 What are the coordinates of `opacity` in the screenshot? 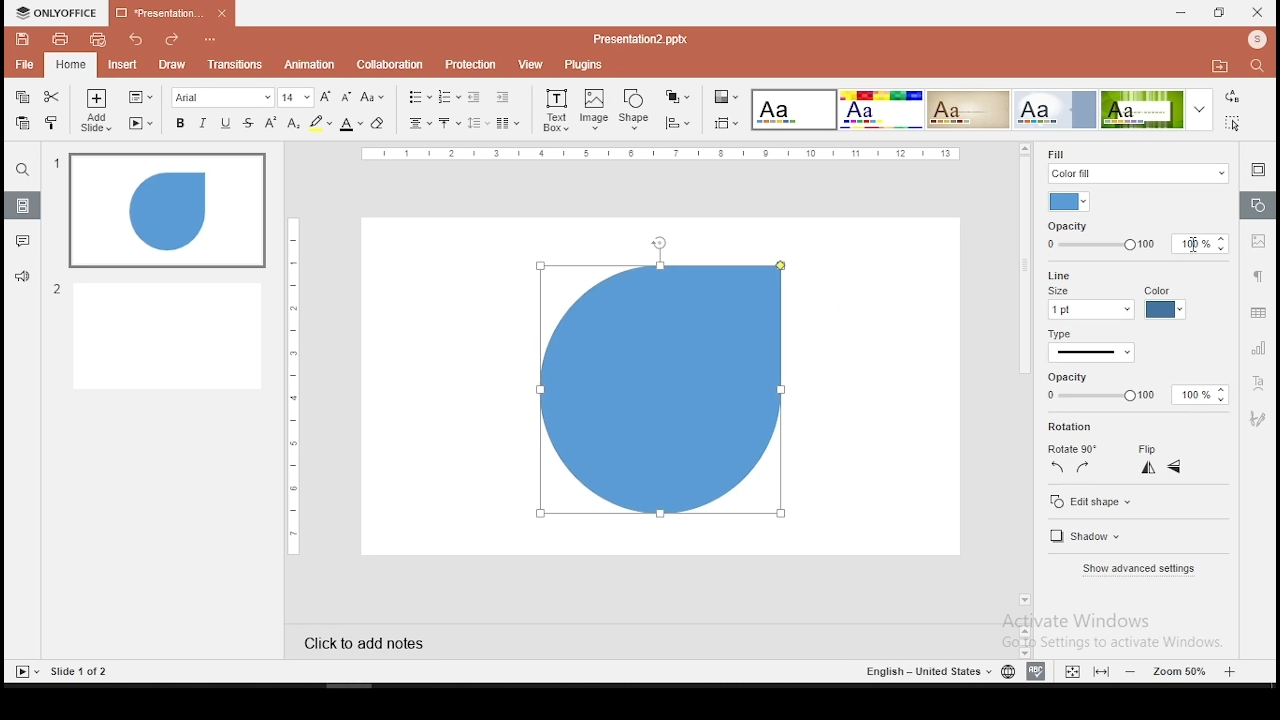 It's located at (1130, 388).